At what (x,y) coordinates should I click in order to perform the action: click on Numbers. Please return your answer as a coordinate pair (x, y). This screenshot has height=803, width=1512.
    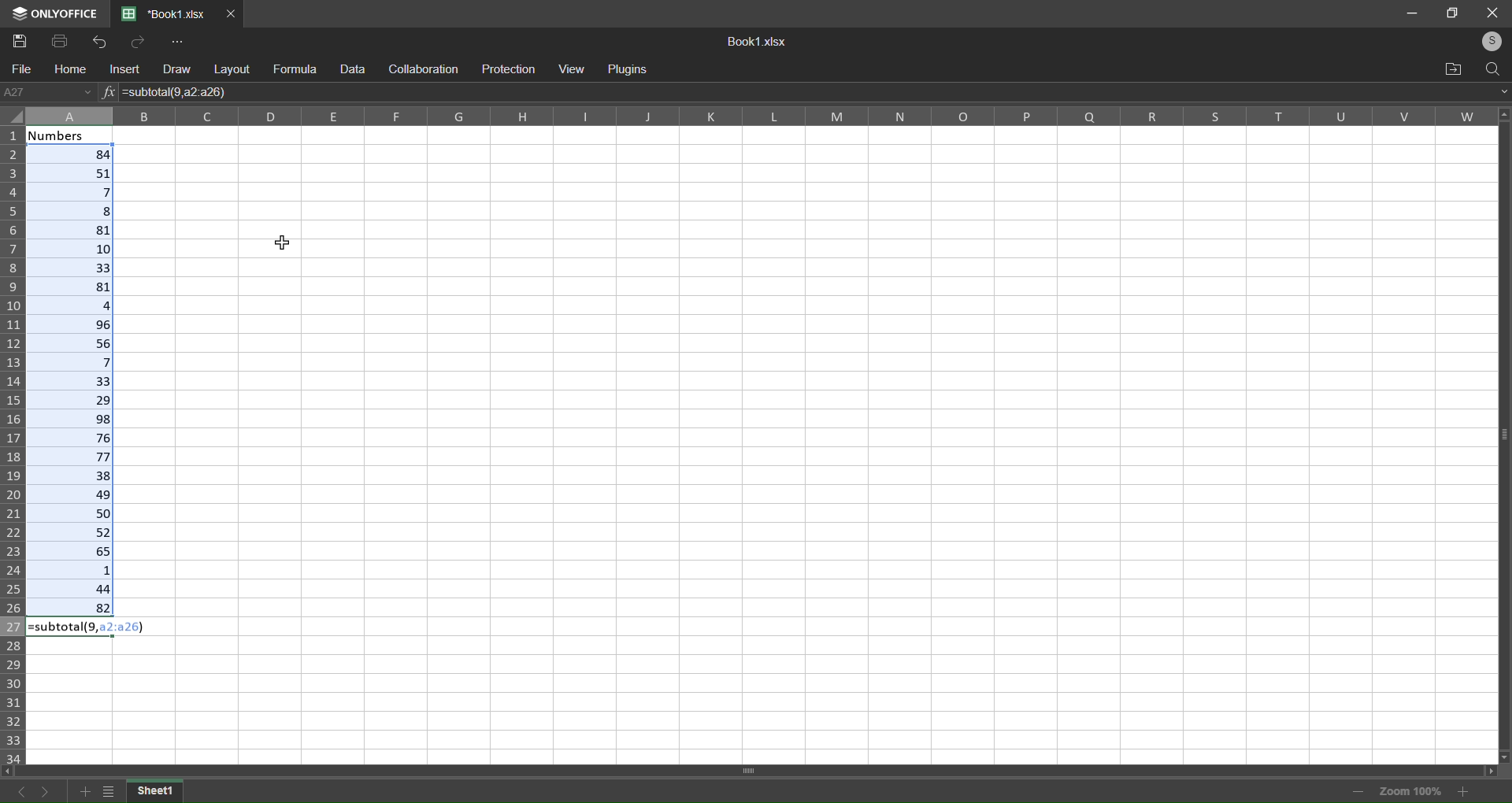
    Looking at the image, I should click on (60, 135).